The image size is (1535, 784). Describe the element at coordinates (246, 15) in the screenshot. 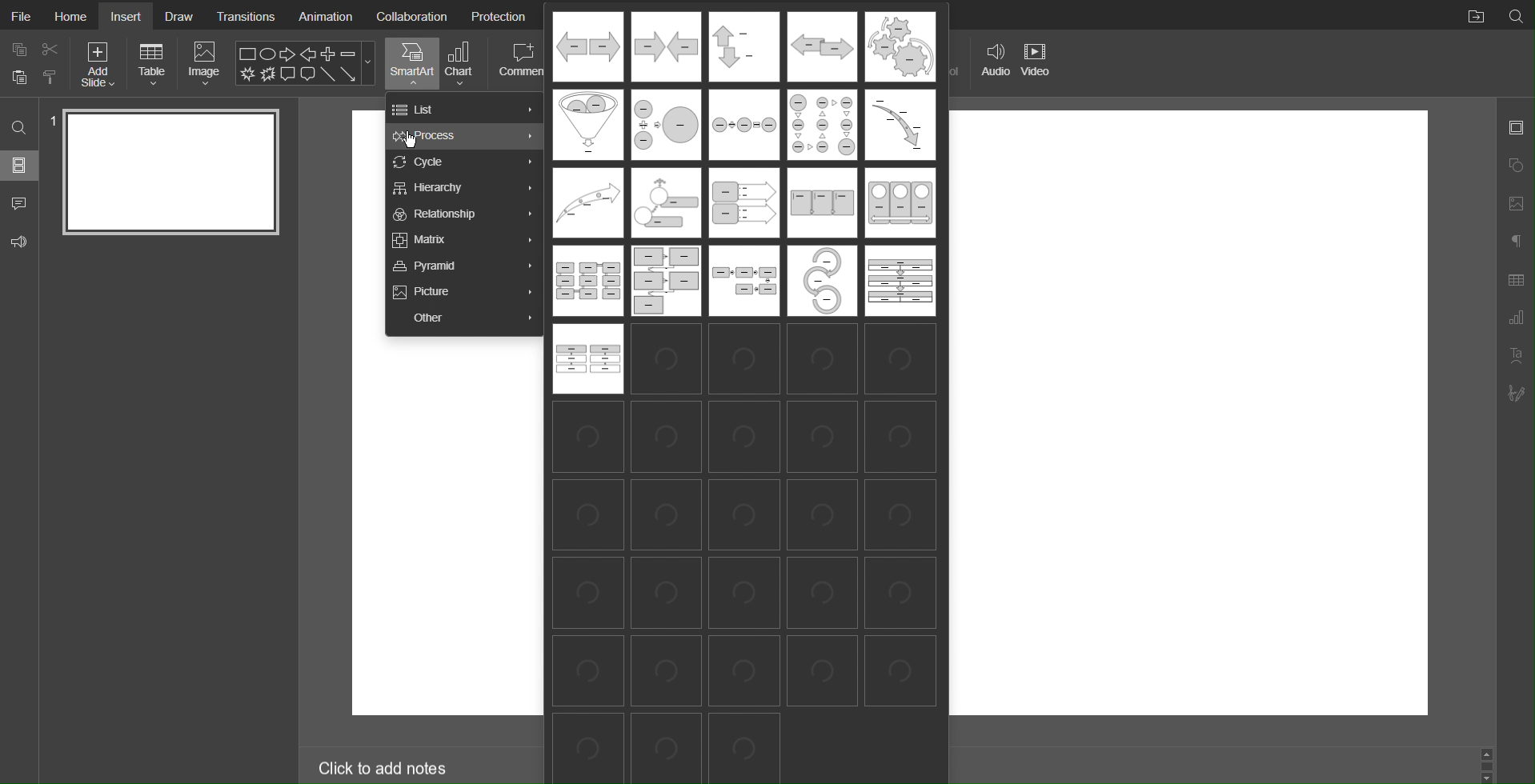

I see `Transitions` at that location.